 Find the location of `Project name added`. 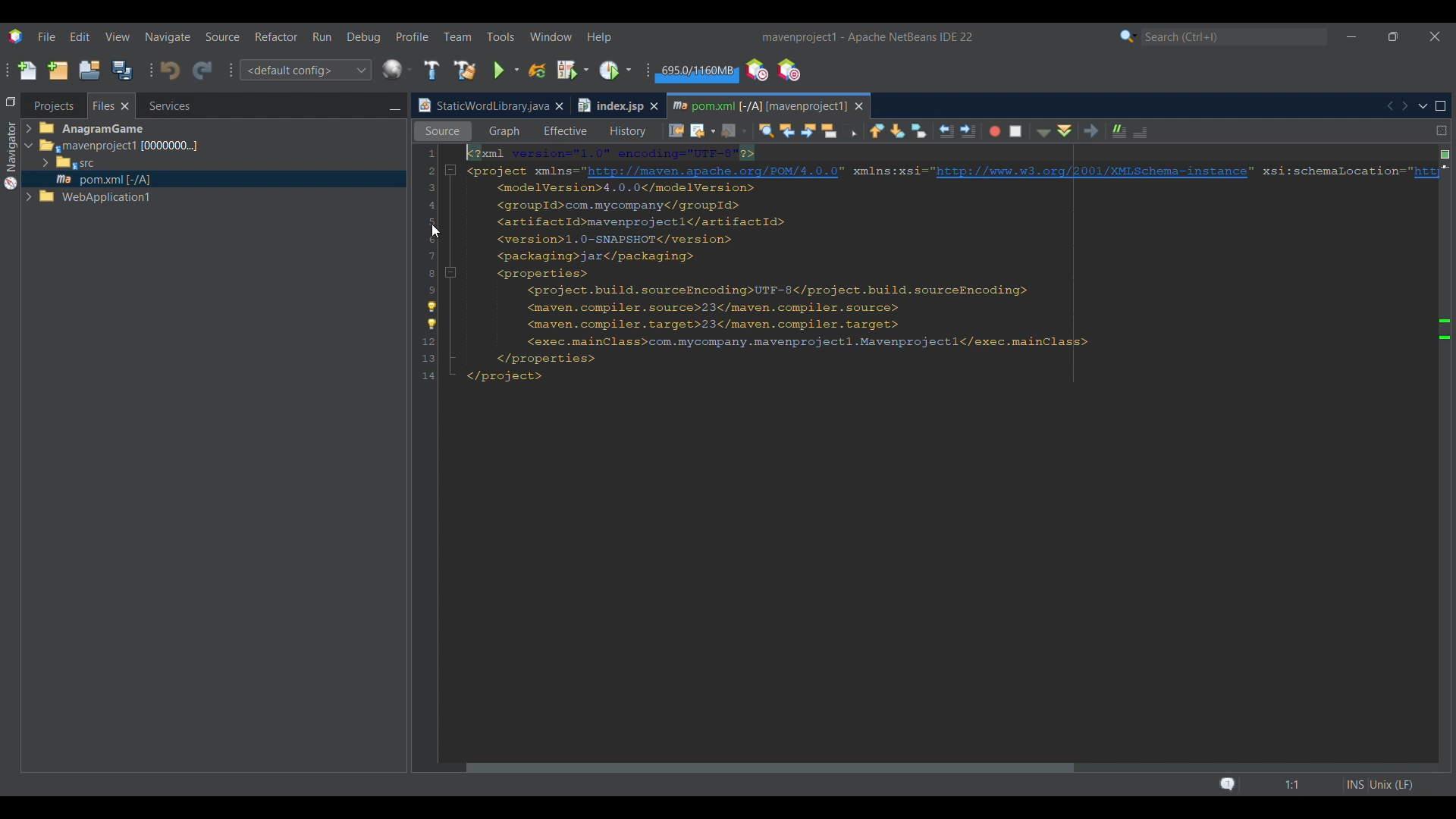

Project name added is located at coordinates (867, 37).